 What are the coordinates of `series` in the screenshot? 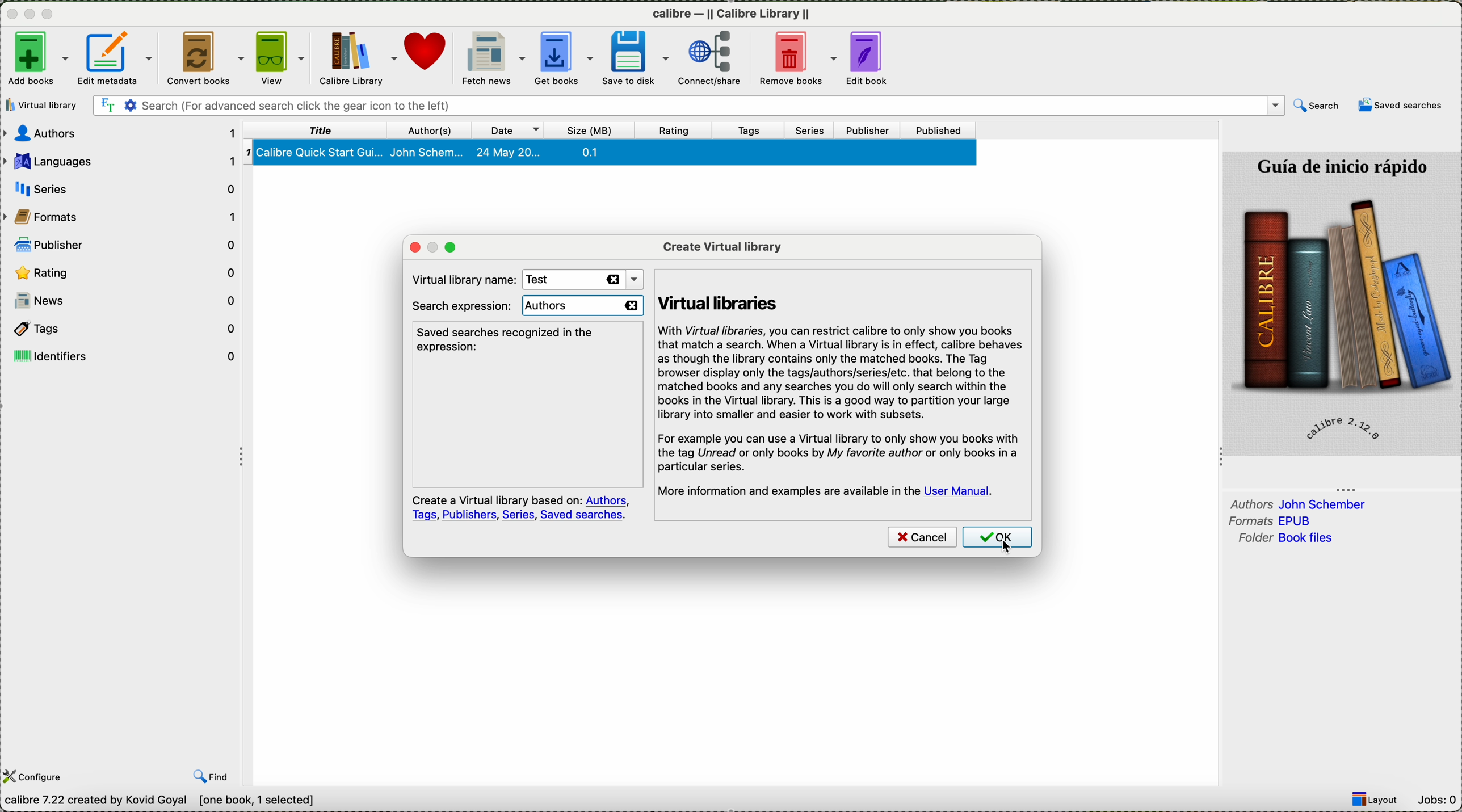 It's located at (815, 131).